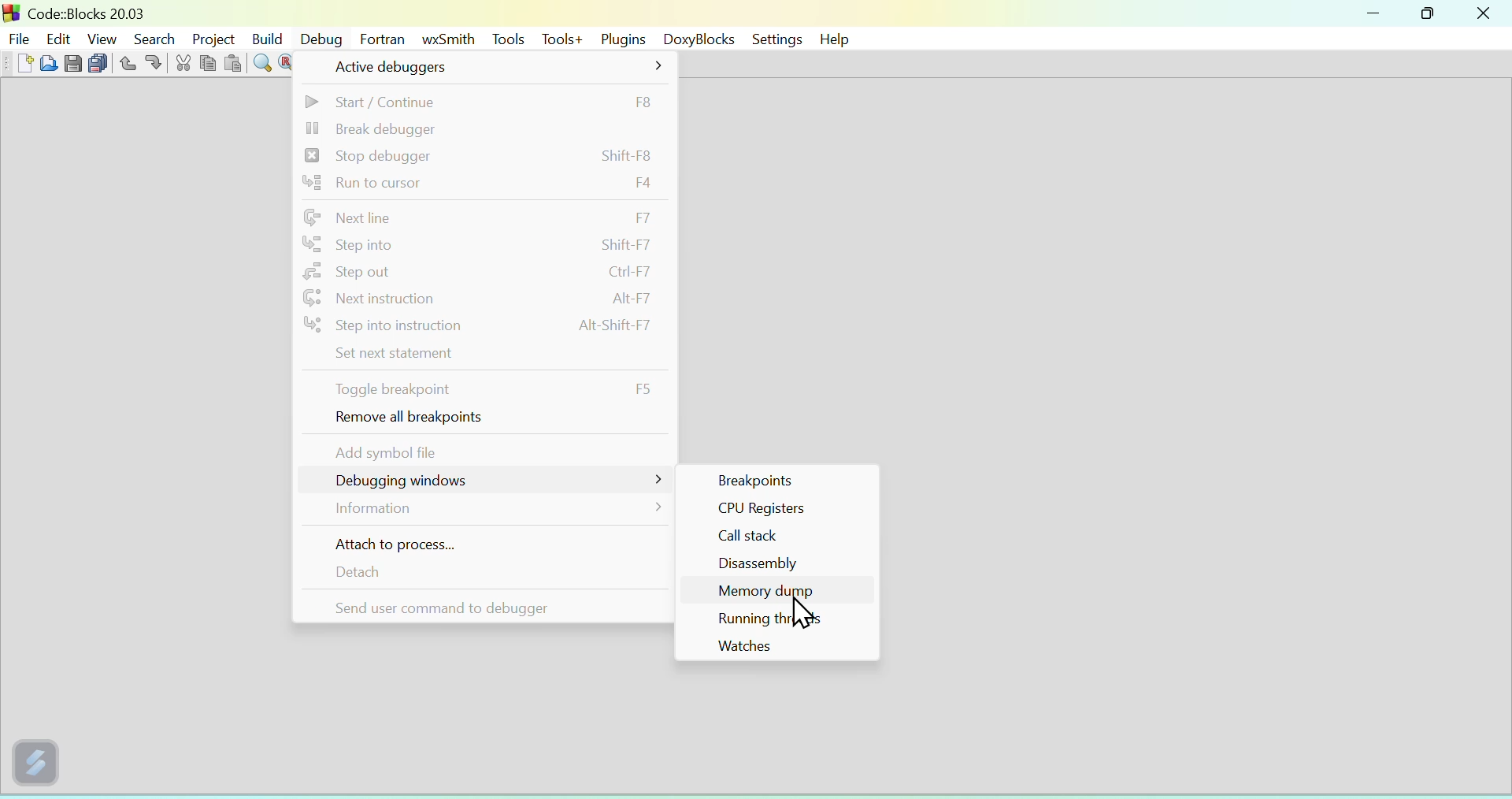 This screenshot has height=799, width=1512. Describe the element at coordinates (446, 39) in the screenshot. I see `wxSmith` at that location.